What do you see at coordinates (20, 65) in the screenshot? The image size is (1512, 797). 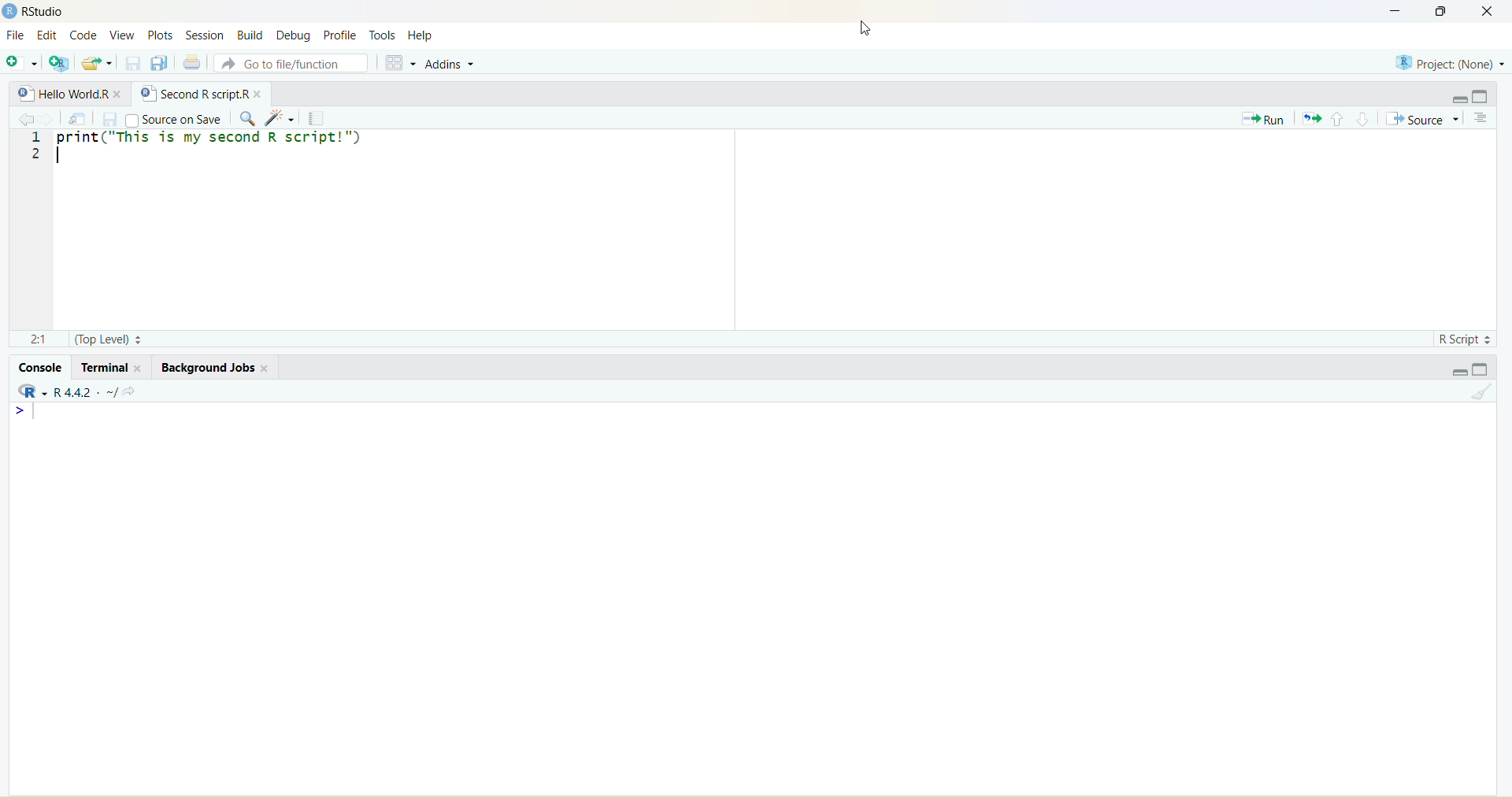 I see `New File` at bounding box center [20, 65].